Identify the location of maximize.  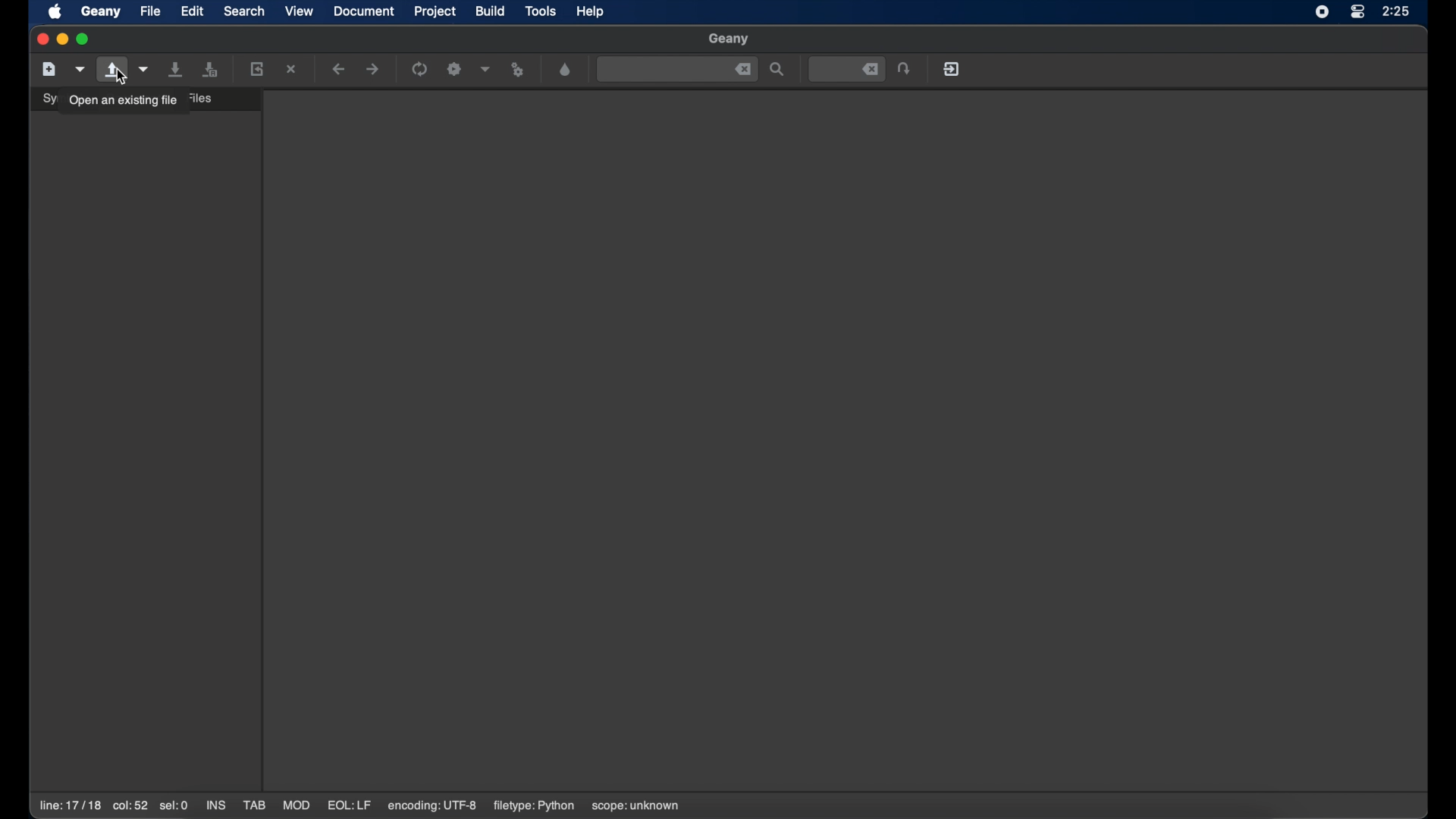
(83, 39).